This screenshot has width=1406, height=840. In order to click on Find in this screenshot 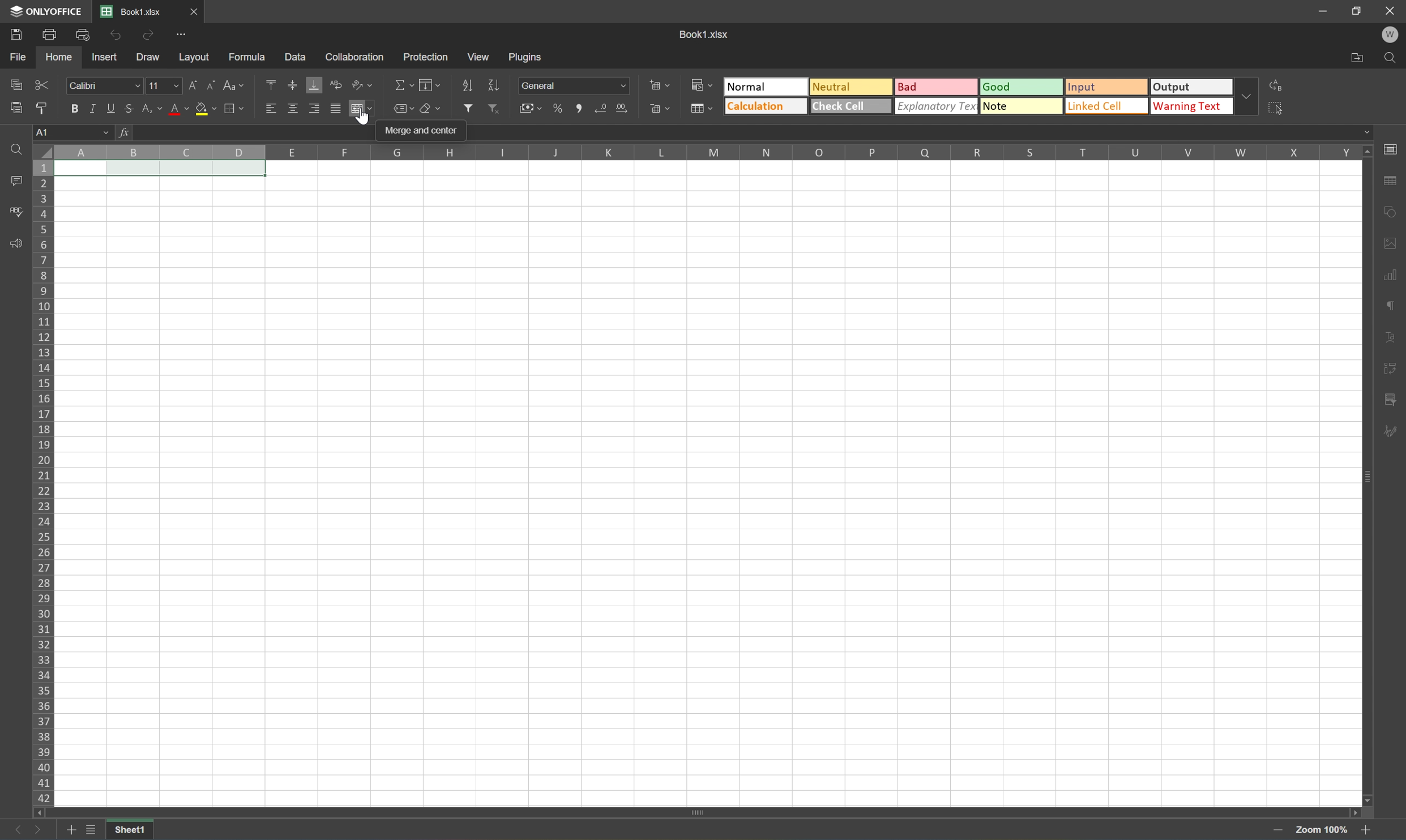, I will do `click(1393, 58)`.